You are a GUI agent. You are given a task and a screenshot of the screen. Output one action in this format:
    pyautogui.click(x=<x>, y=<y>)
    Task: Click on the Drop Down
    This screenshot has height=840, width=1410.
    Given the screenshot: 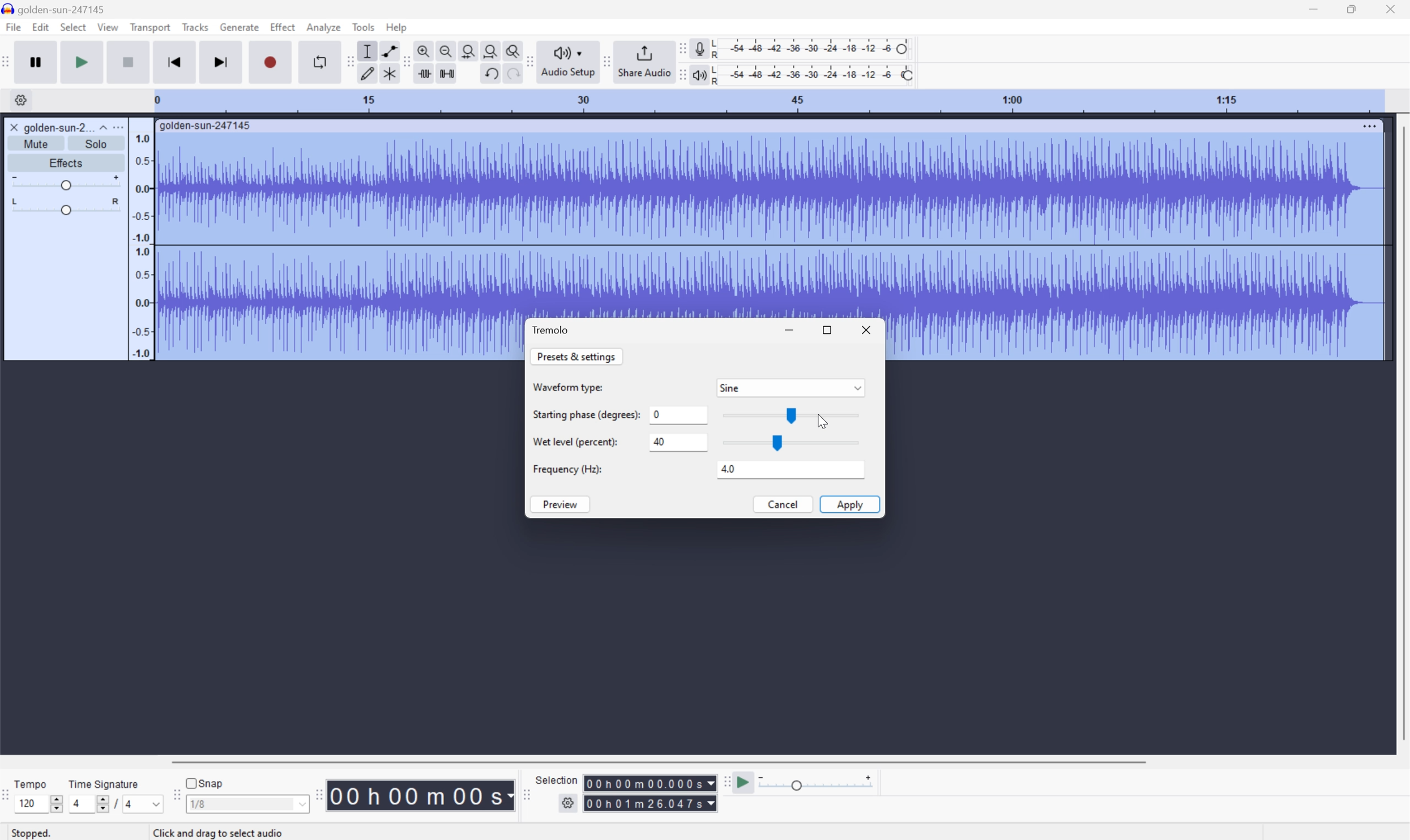 What is the action you would take?
    pyautogui.click(x=101, y=126)
    